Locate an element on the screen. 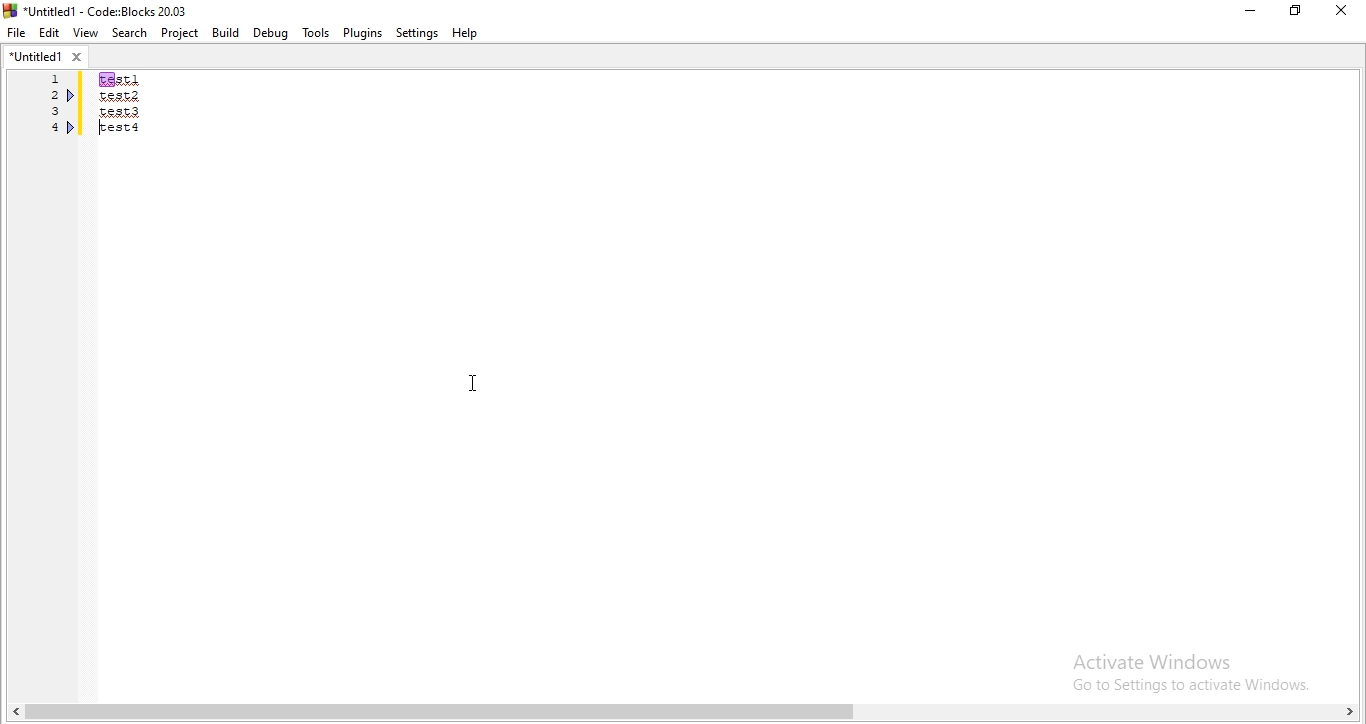  Close is located at coordinates (1342, 10).